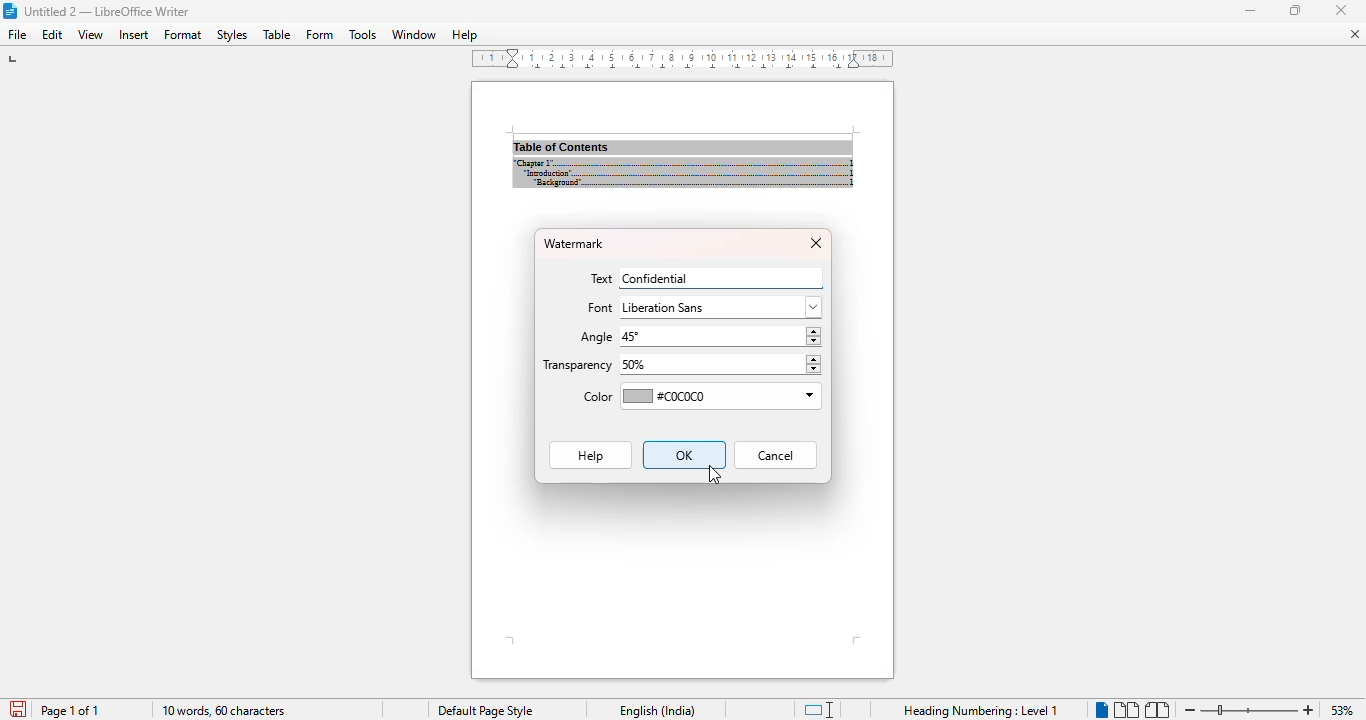 The image size is (1366, 720). Describe the element at coordinates (680, 59) in the screenshot. I see `ruler` at that location.